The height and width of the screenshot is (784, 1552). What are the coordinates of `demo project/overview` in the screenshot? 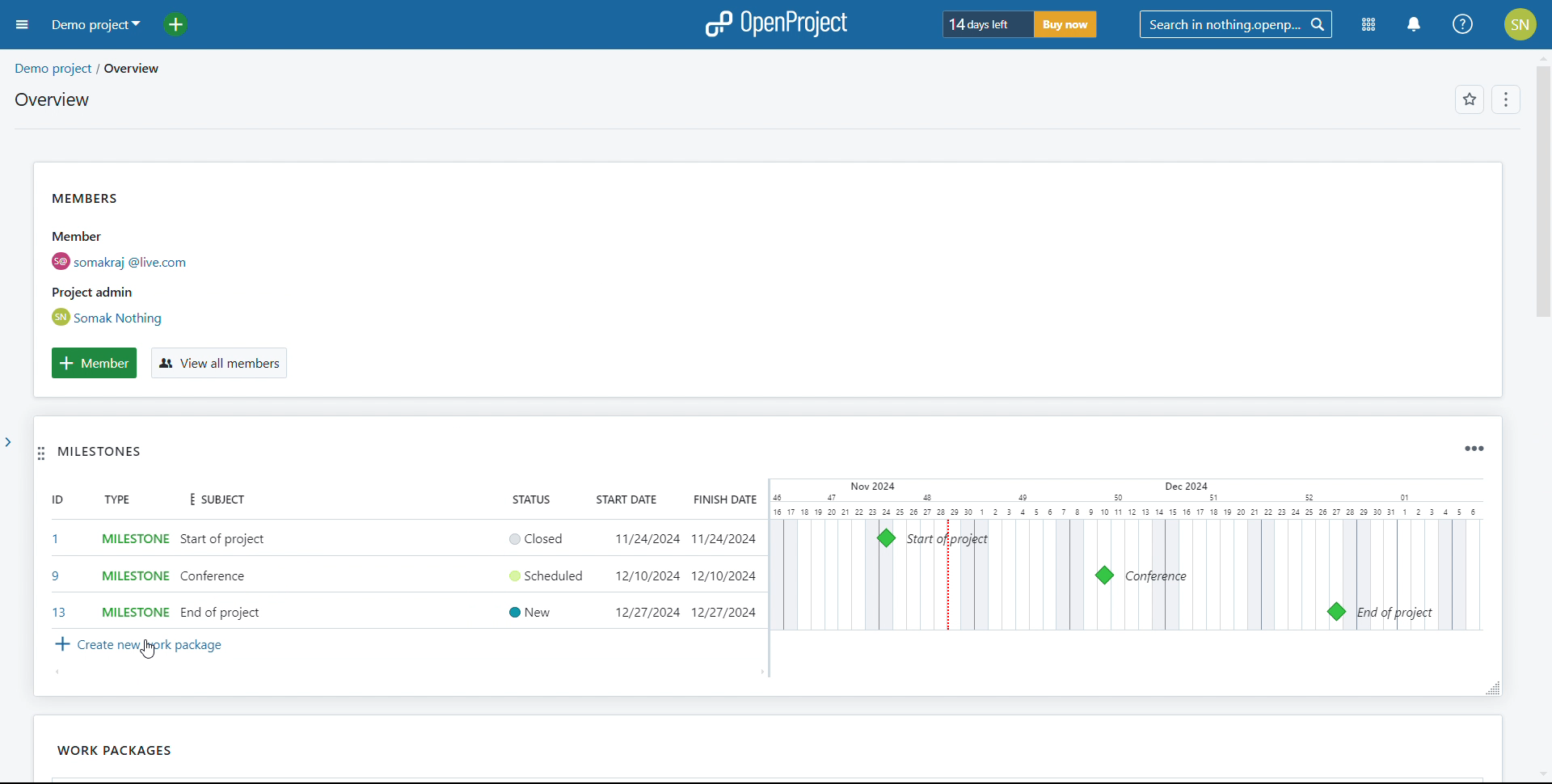 It's located at (86, 69).